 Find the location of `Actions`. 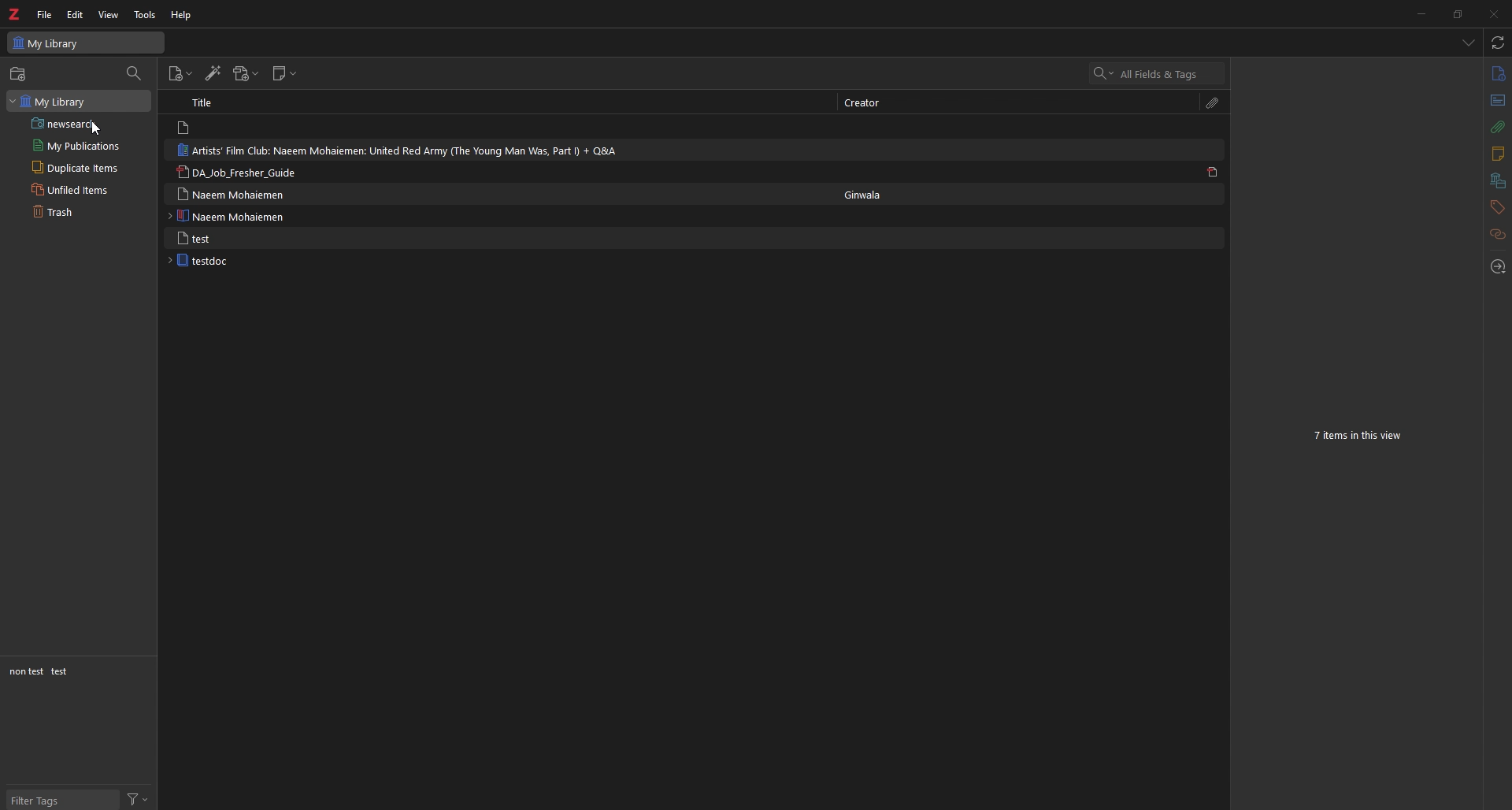

Actions is located at coordinates (139, 800).